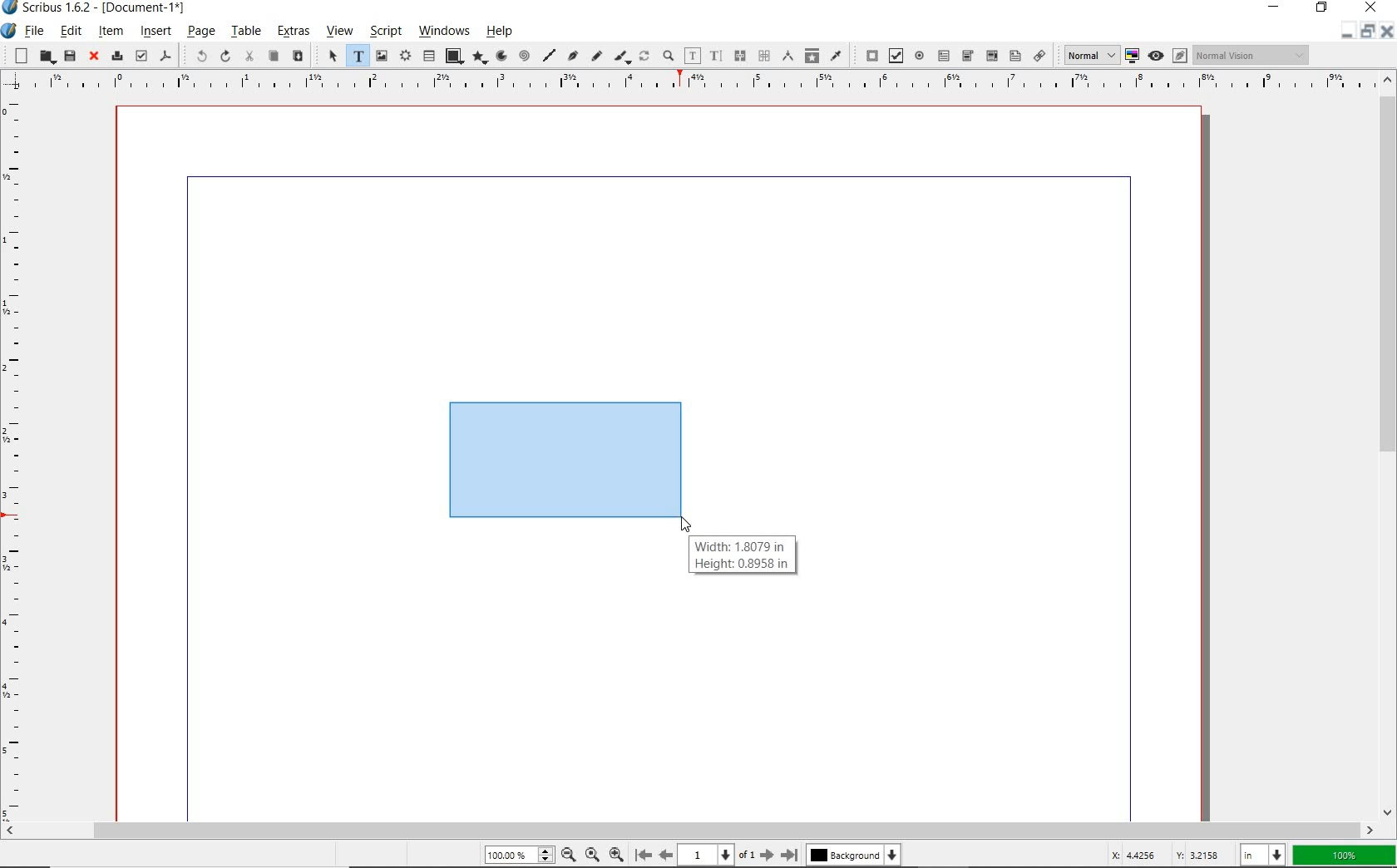 The image size is (1397, 868). Describe the element at coordinates (1133, 55) in the screenshot. I see `toggle color` at that location.